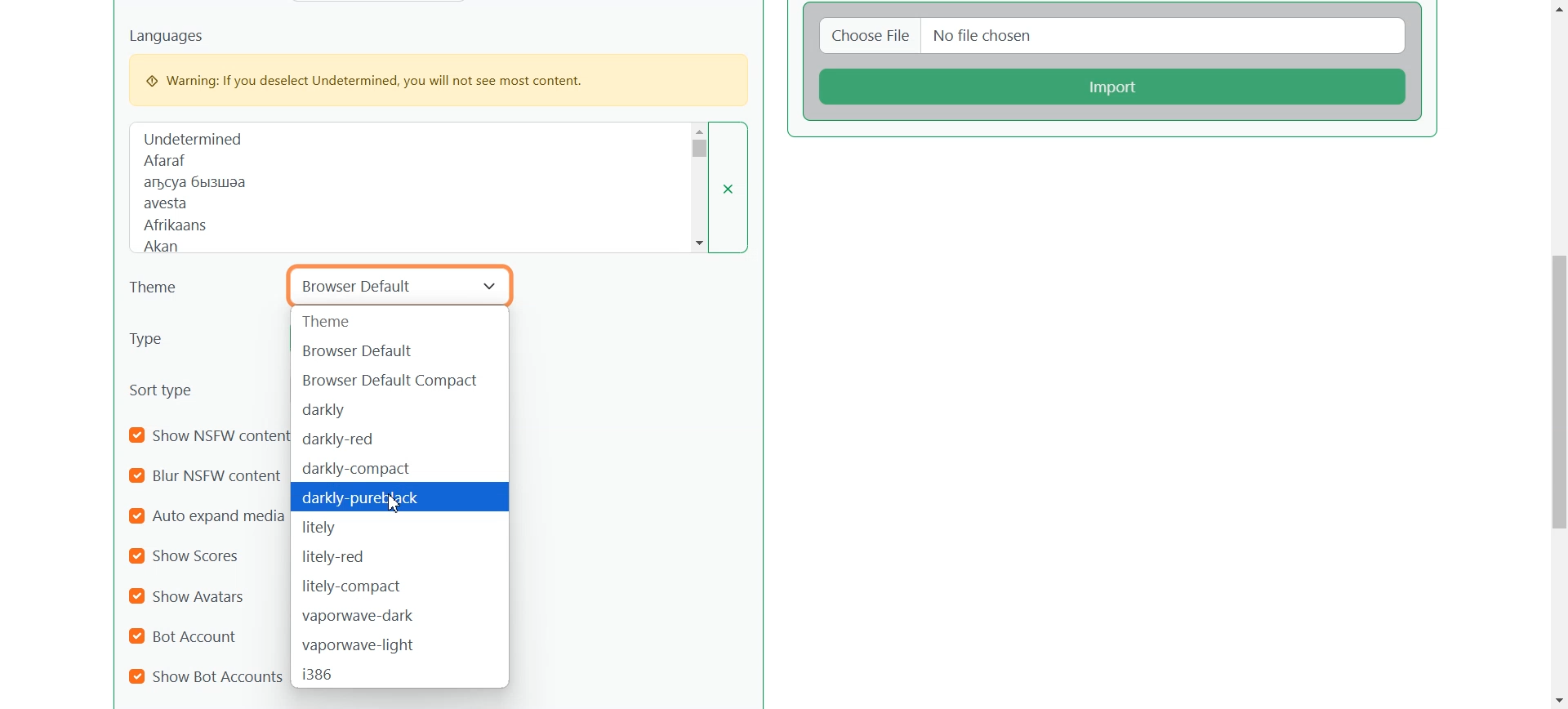 This screenshot has height=709, width=1568. What do you see at coordinates (398, 556) in the screenshot?
I see `litely-red` at bounding box center [398, 556].